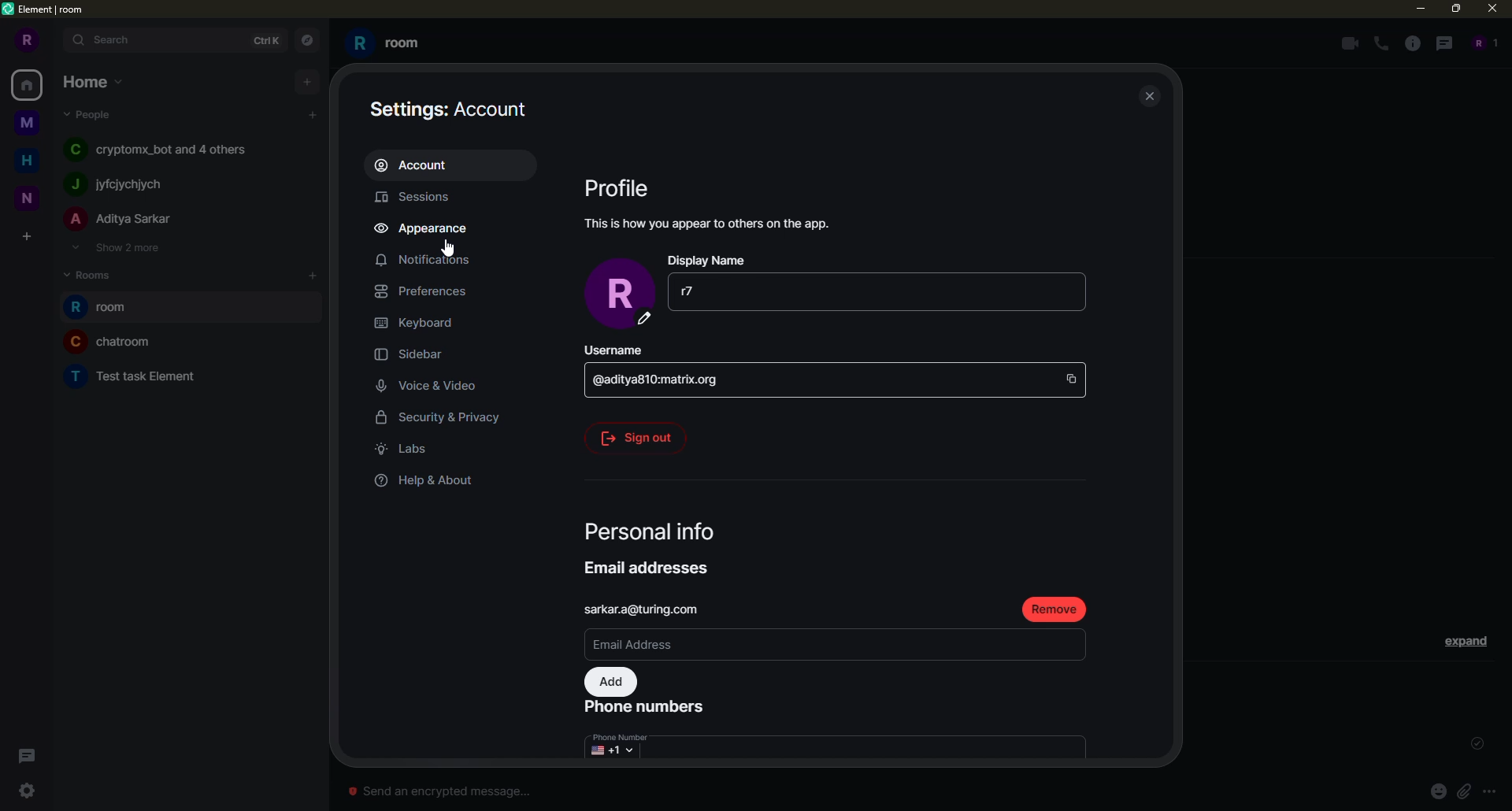  I want to click on threads, so click(1442, 43).